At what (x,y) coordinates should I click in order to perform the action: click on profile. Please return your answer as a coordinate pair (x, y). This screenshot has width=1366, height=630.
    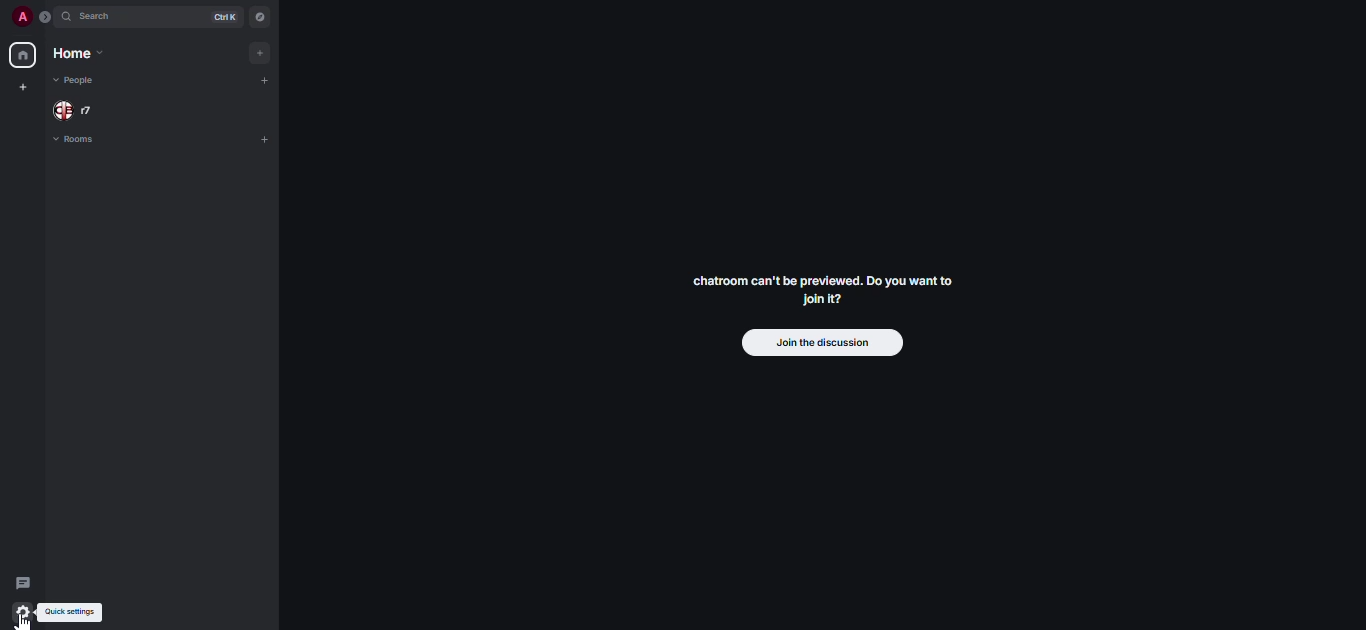
    Looking at the image, I should click on (25, 16).